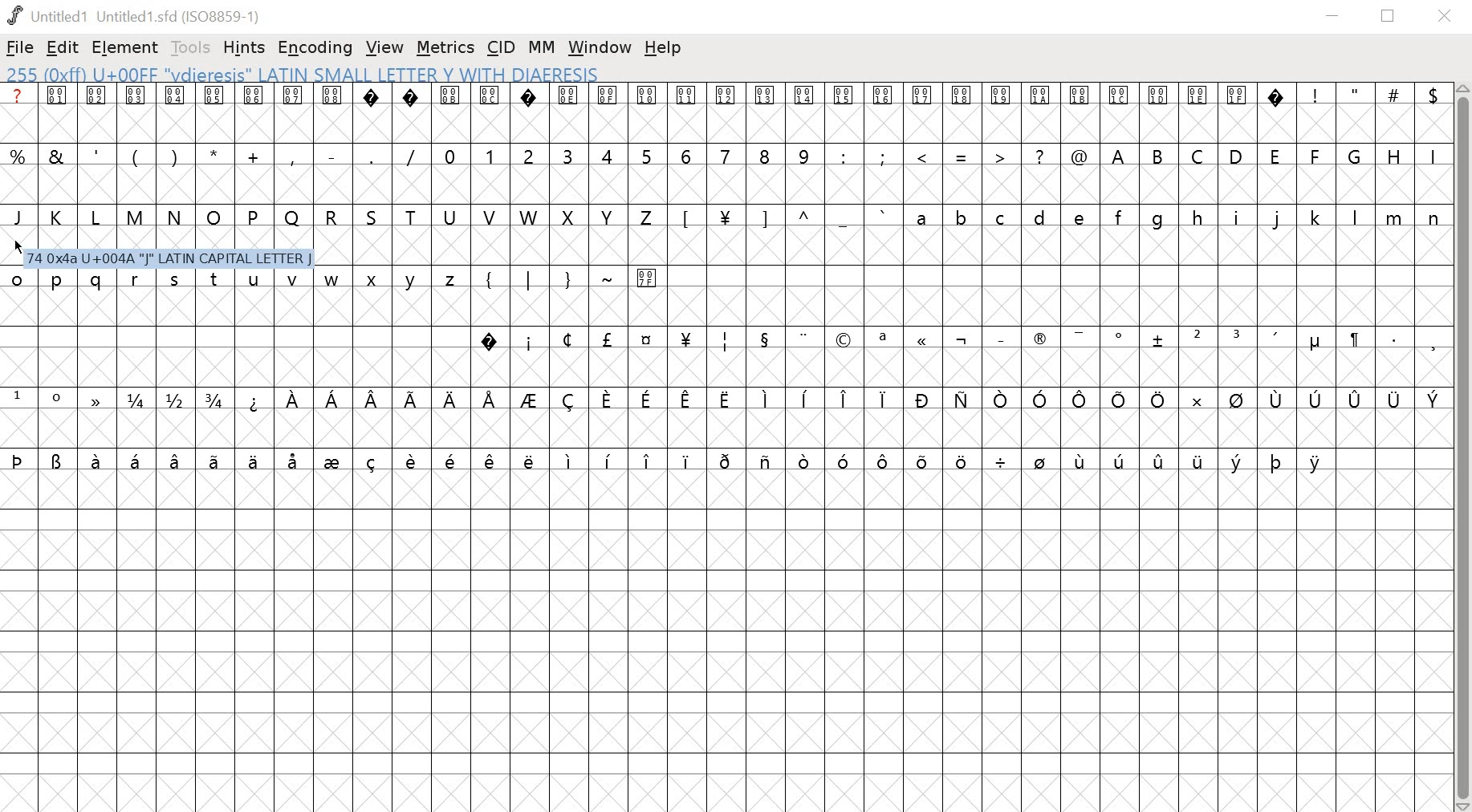  I want to click on symbols, so click(565, 278).